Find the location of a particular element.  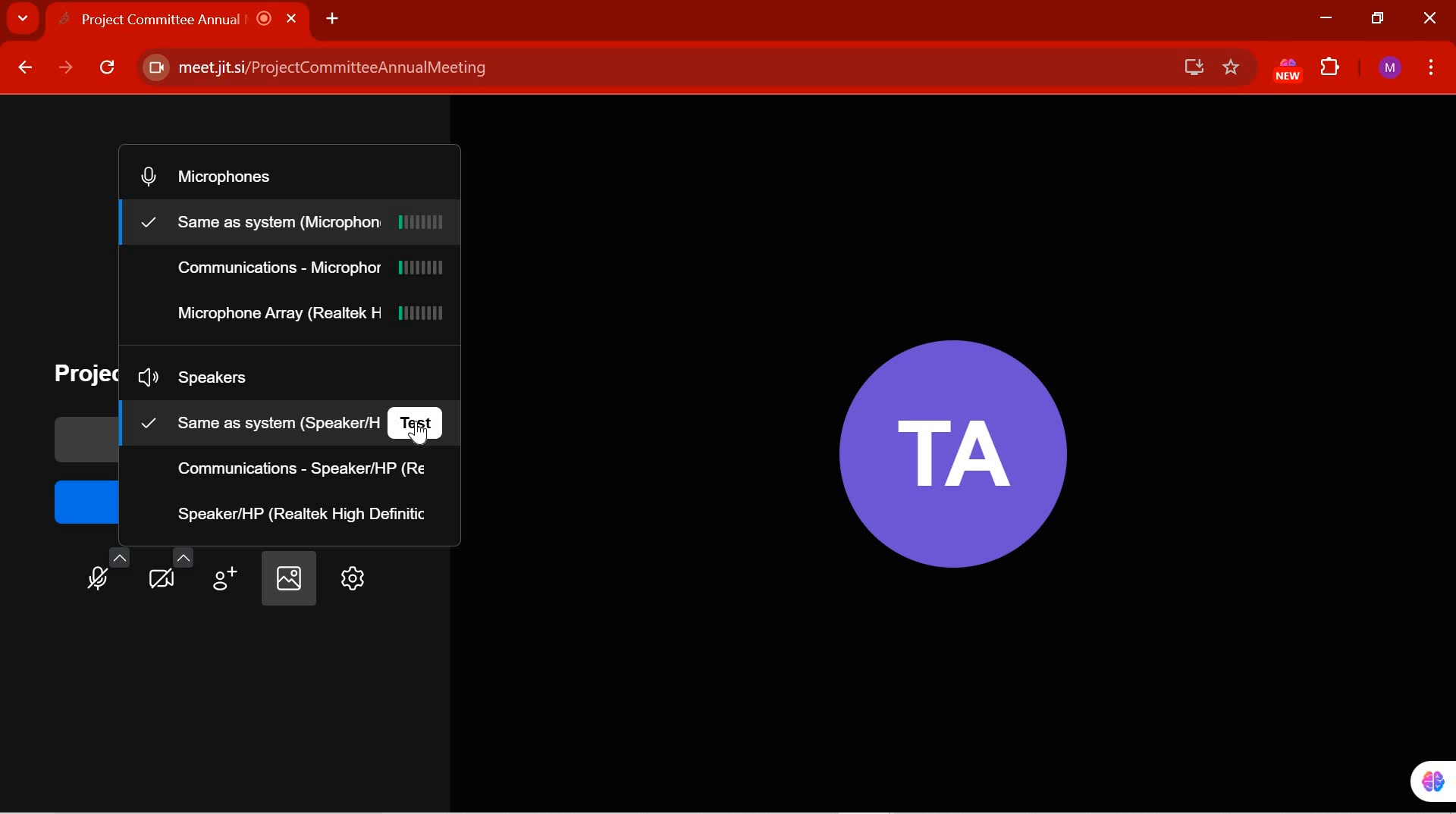

communications - Microphone is located at coordinates (310, 271).